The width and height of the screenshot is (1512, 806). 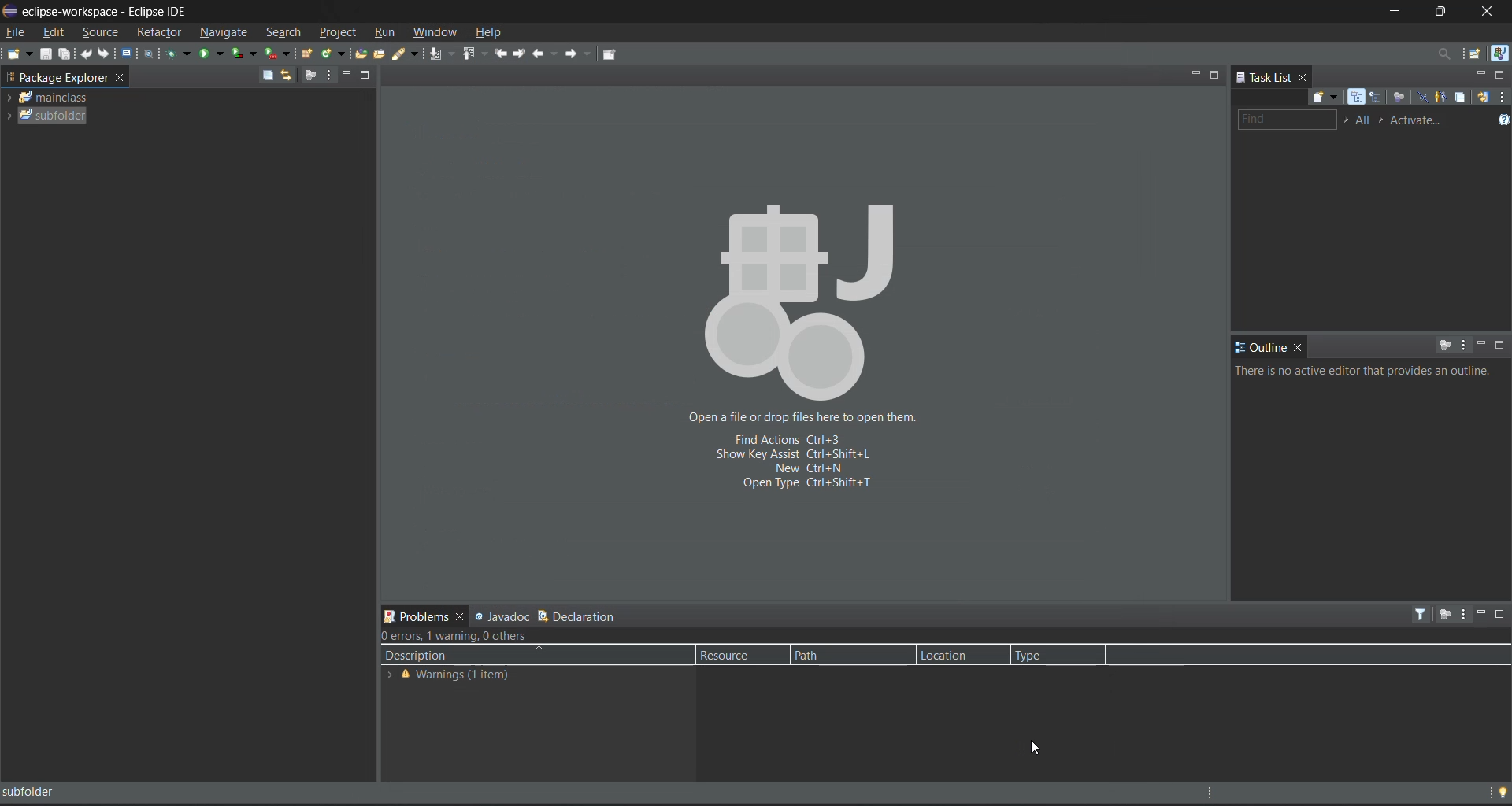 I want to click on maximize, so click(x=1503, y=615).